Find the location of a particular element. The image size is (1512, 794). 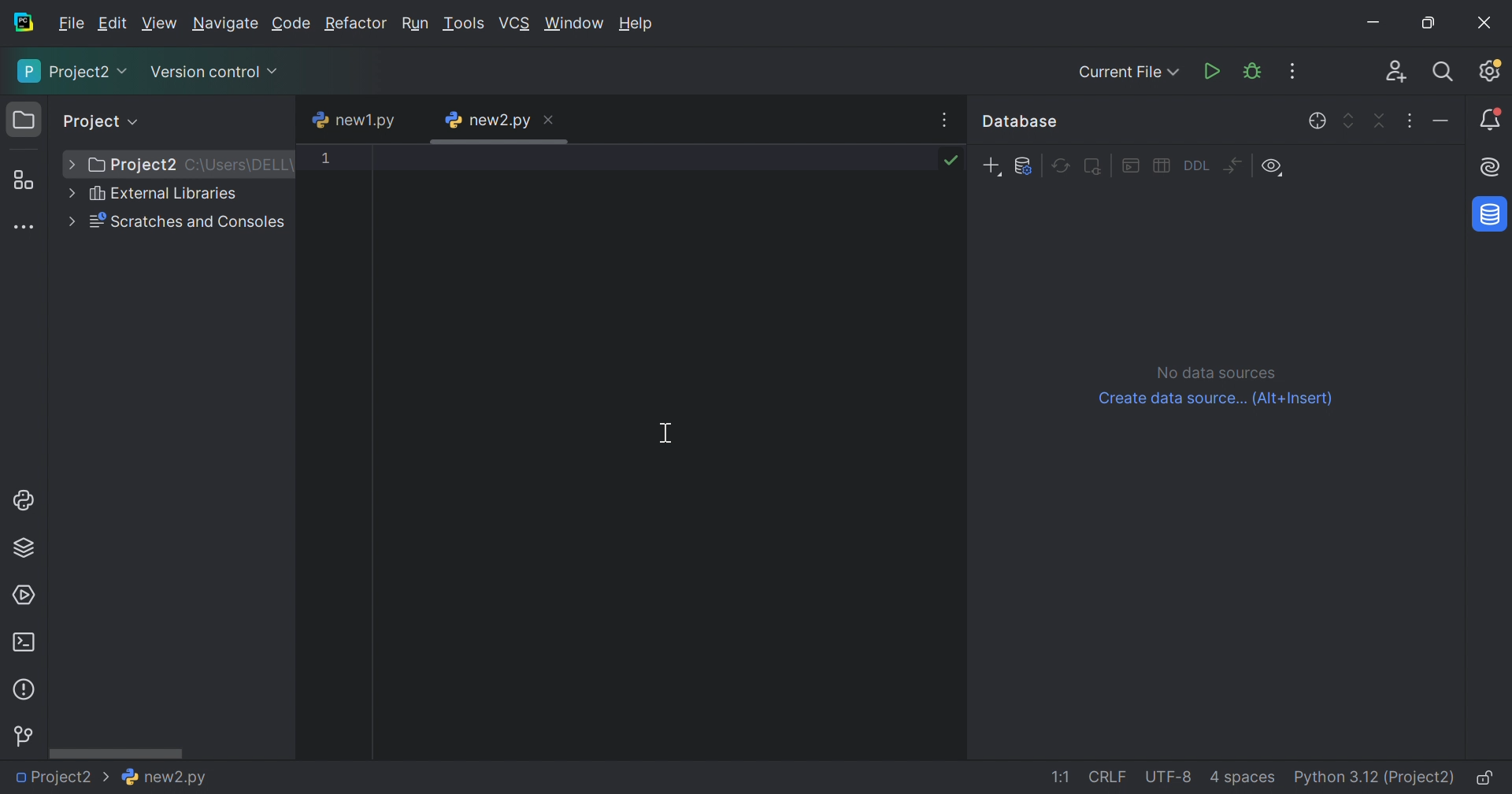

Edit is located at coordinates (113, 21).